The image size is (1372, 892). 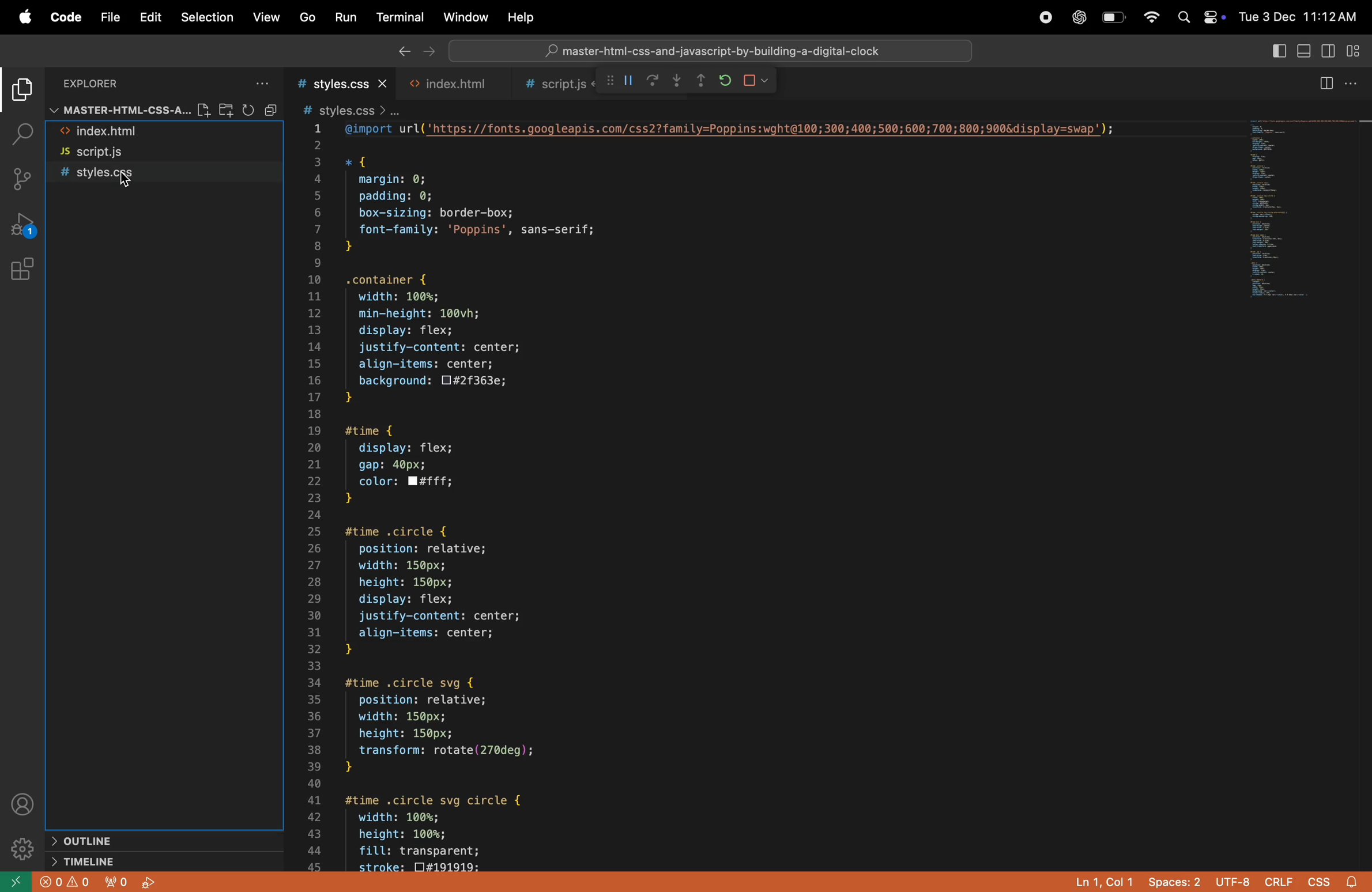 What do you see at coordinates (1103, 882) in the screenshot?
I see `ln col 1` at bounding box center [1103, 882].